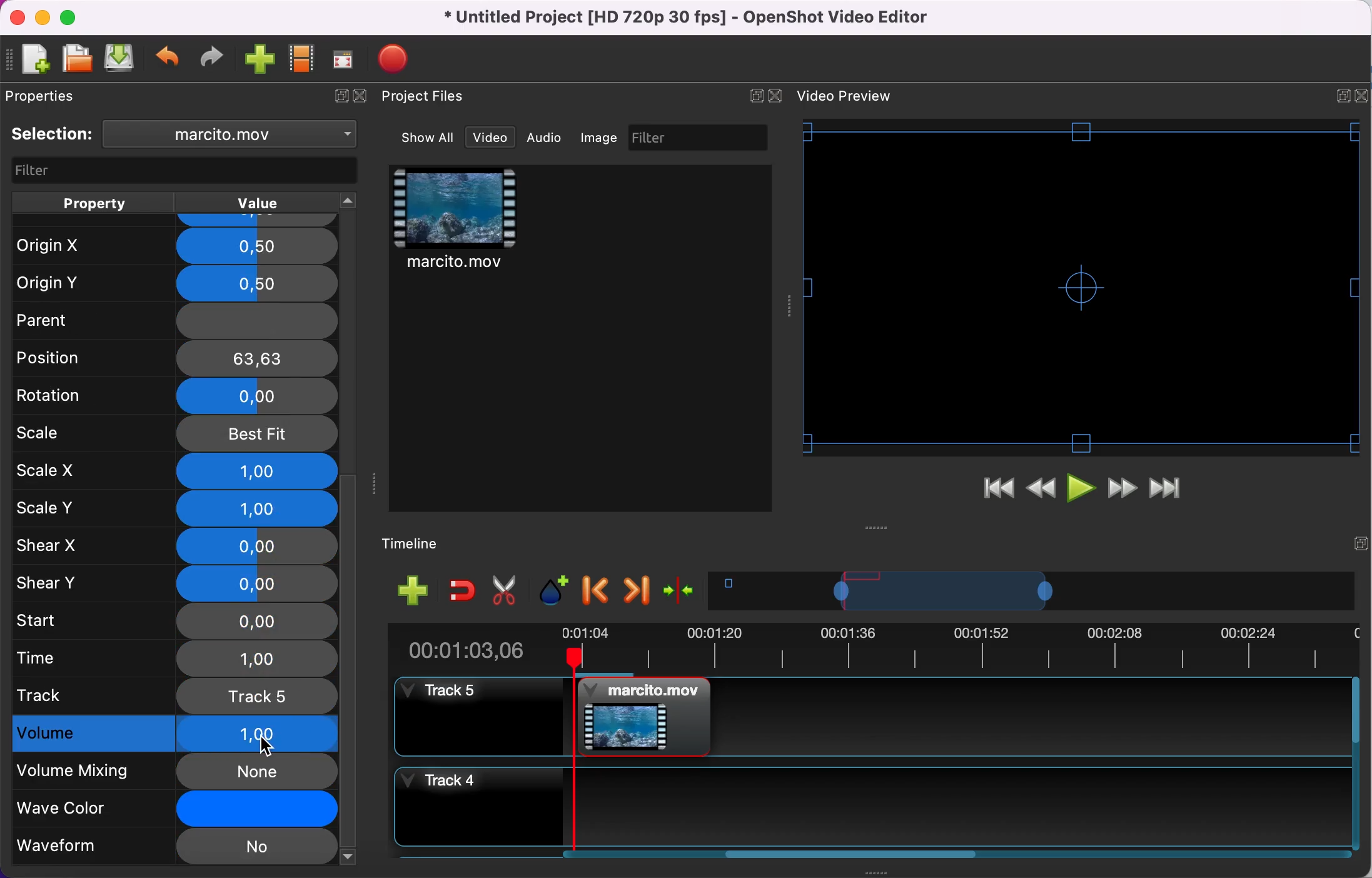  I want to click on scale y 1, so click(180, 510).